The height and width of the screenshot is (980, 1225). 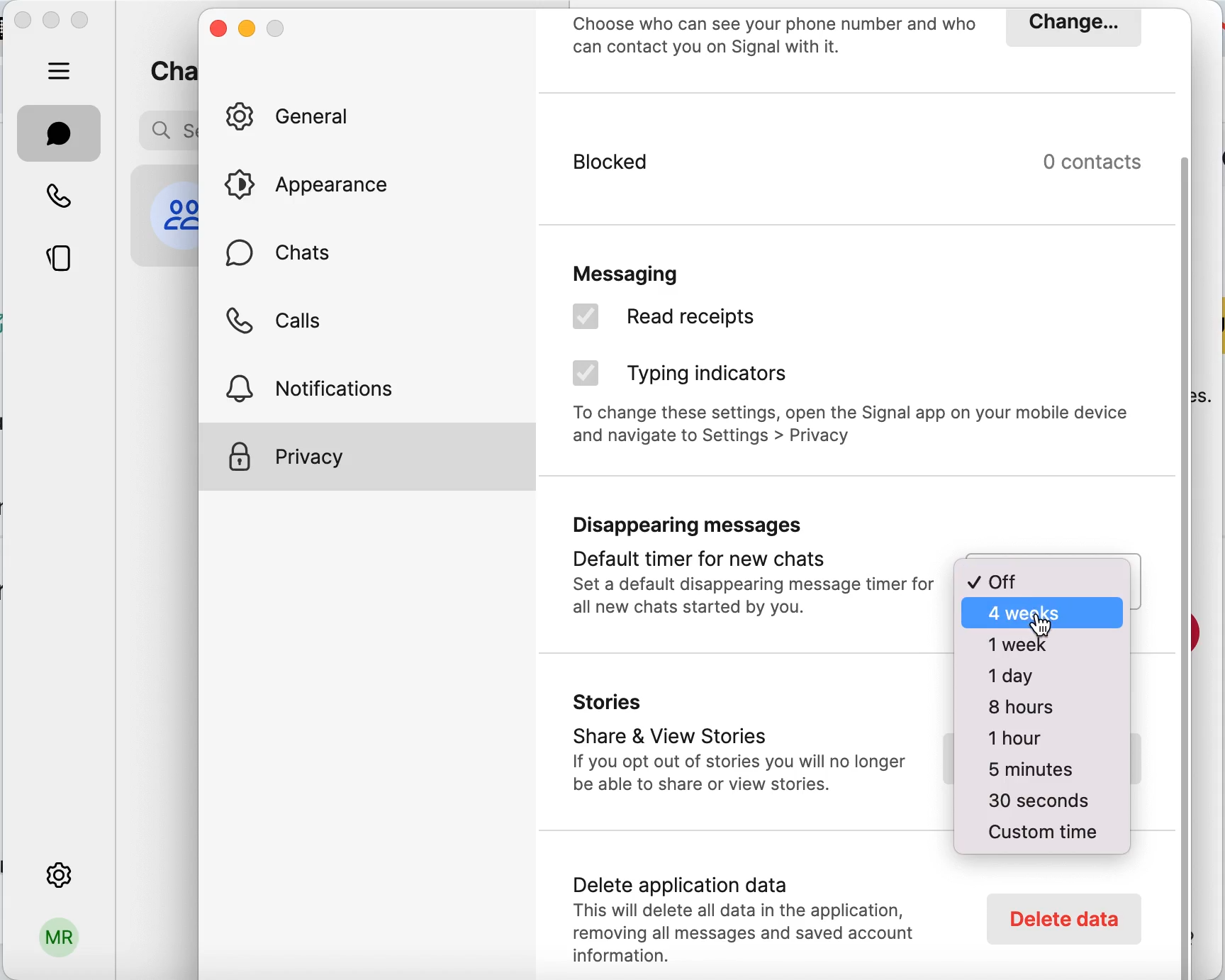 I want to click on delete application data, so click(x=753, y=914).